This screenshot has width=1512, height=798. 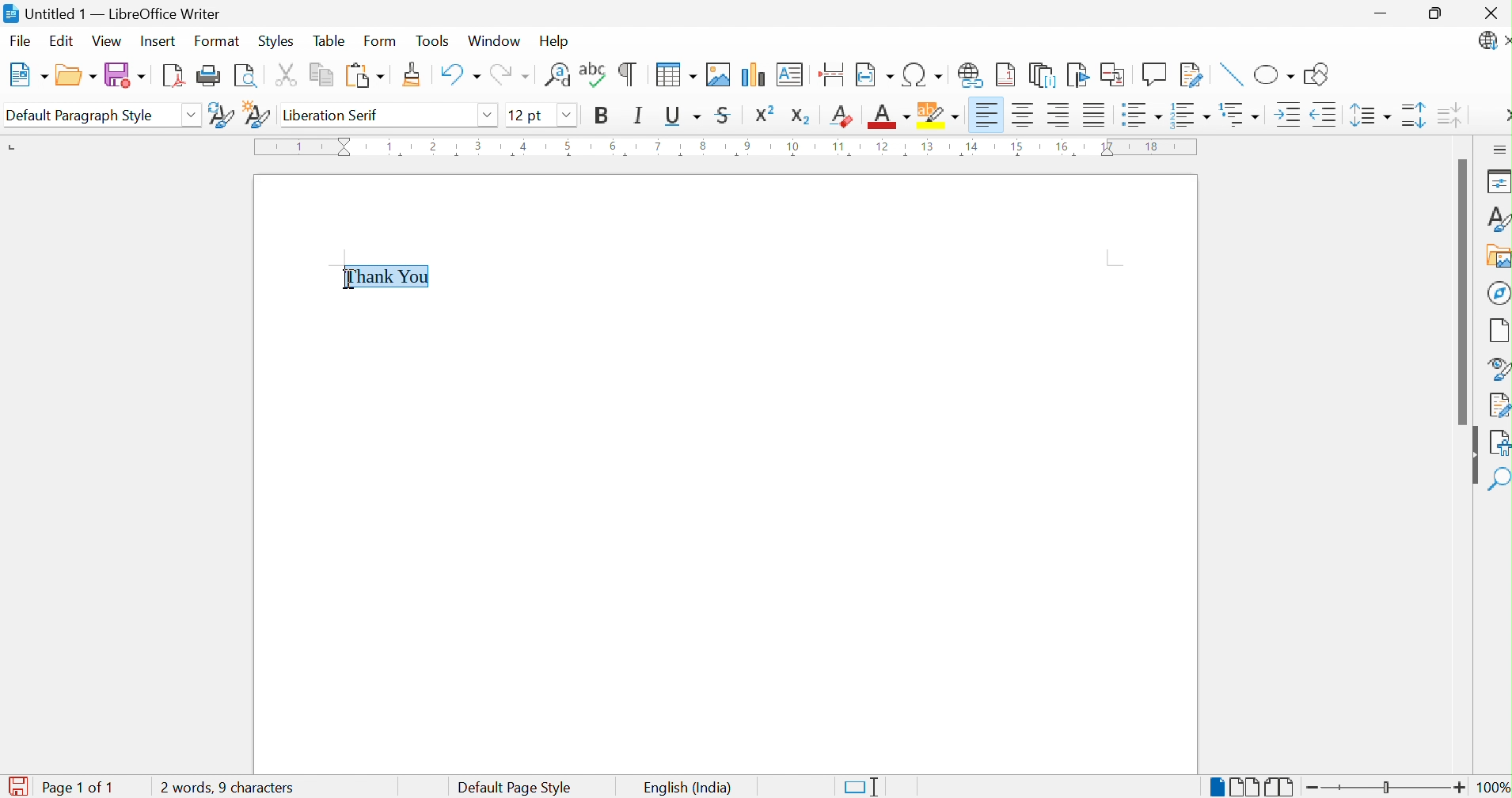 I want to click on Insert Chart, so click(x=752, y=74).